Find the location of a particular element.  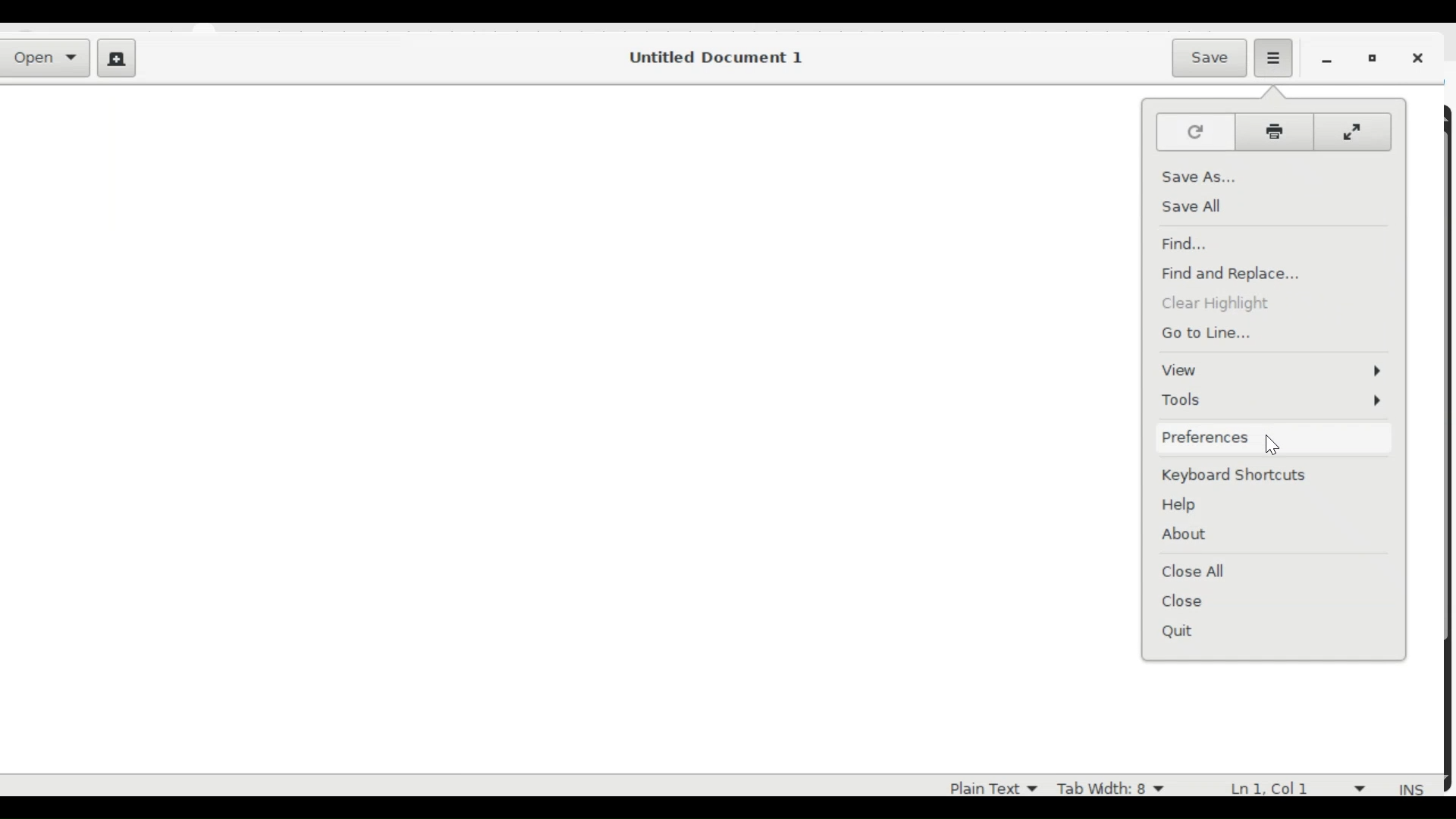

Save all is located at coordinates (1198, 207).